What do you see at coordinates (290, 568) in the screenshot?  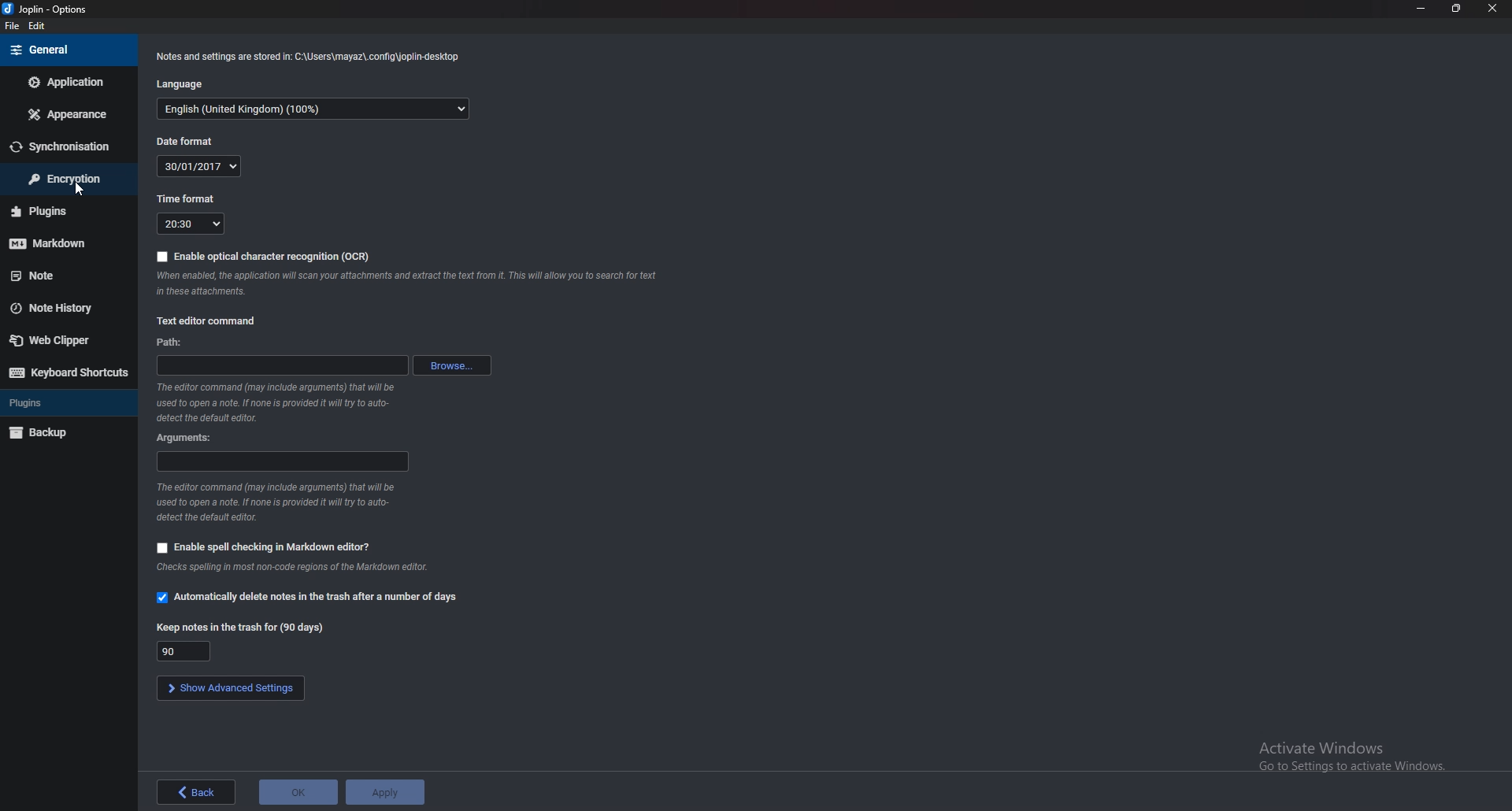 I see `info` at bounding box center [290, 568].